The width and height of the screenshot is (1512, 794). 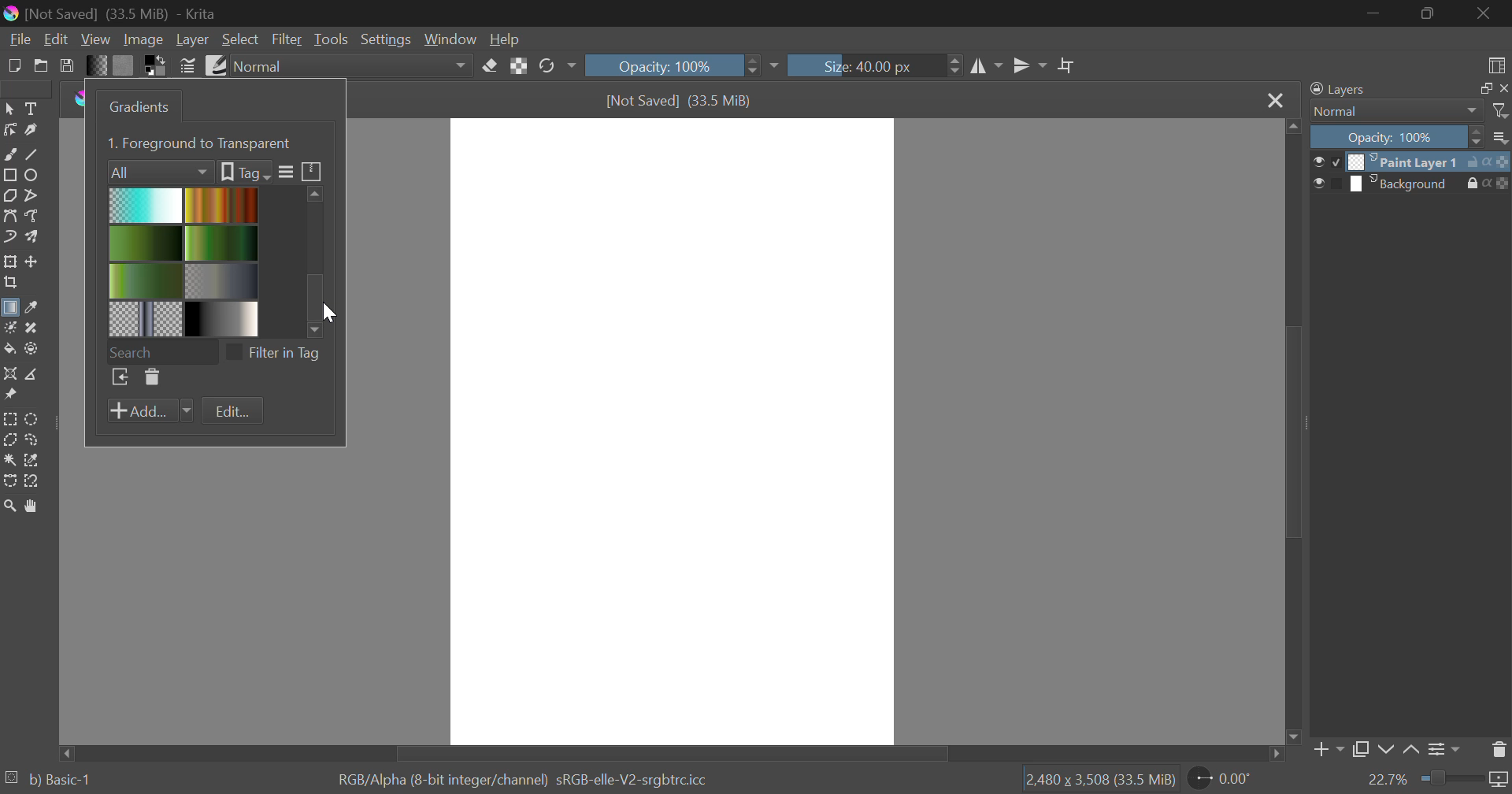 What do you see at coordinates (505, 39) in the screenshot?
I see `Help` at bounding box center [505, 39].